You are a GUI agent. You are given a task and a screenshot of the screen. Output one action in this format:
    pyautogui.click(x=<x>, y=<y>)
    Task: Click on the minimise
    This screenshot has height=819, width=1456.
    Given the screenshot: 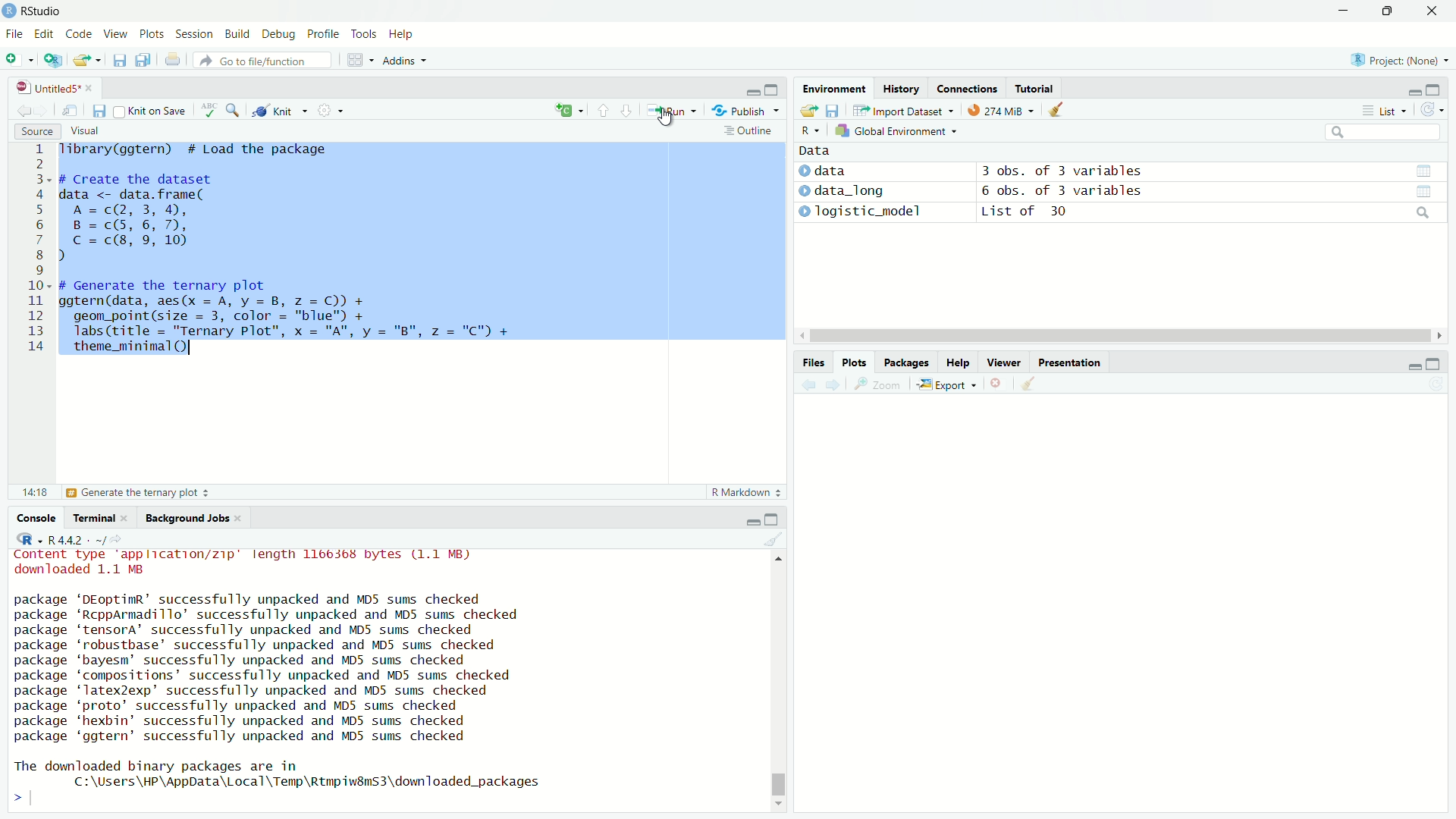 What is the action you would take?
    pyautogui.click(x=1343, y=11)
    